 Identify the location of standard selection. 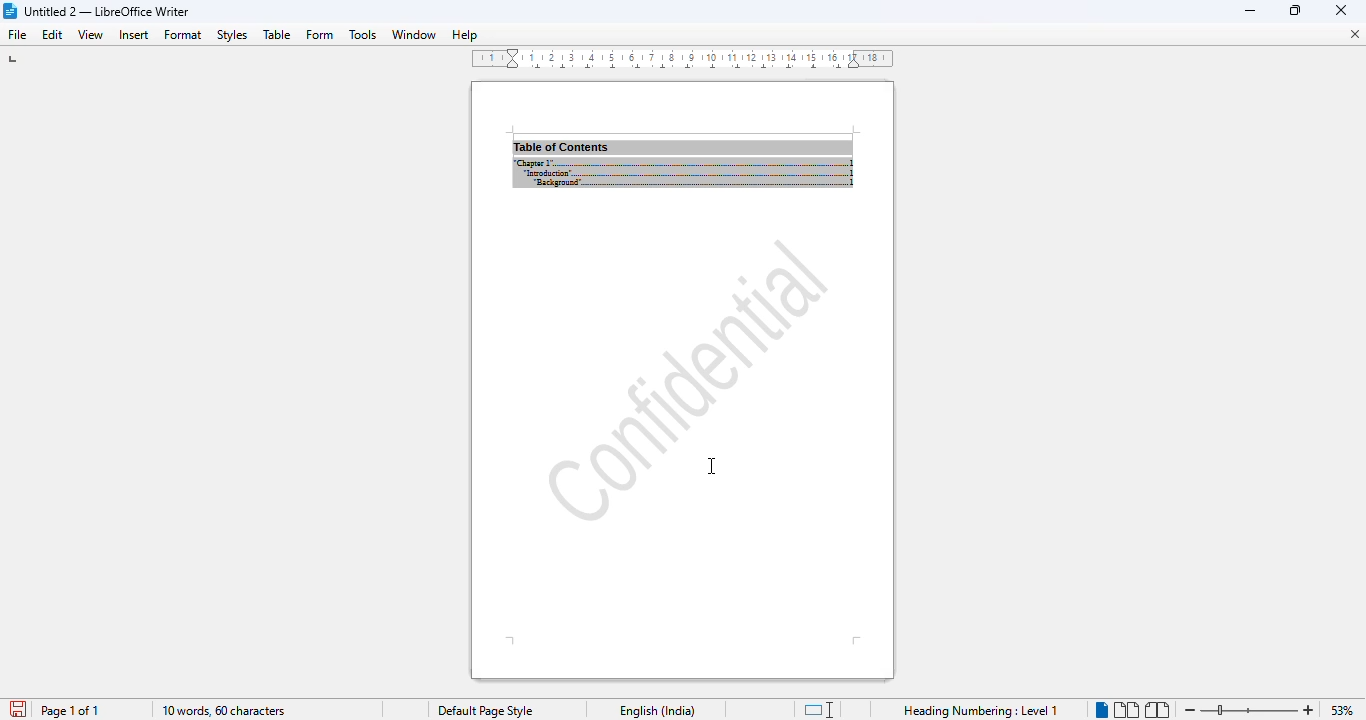
(816, 709).